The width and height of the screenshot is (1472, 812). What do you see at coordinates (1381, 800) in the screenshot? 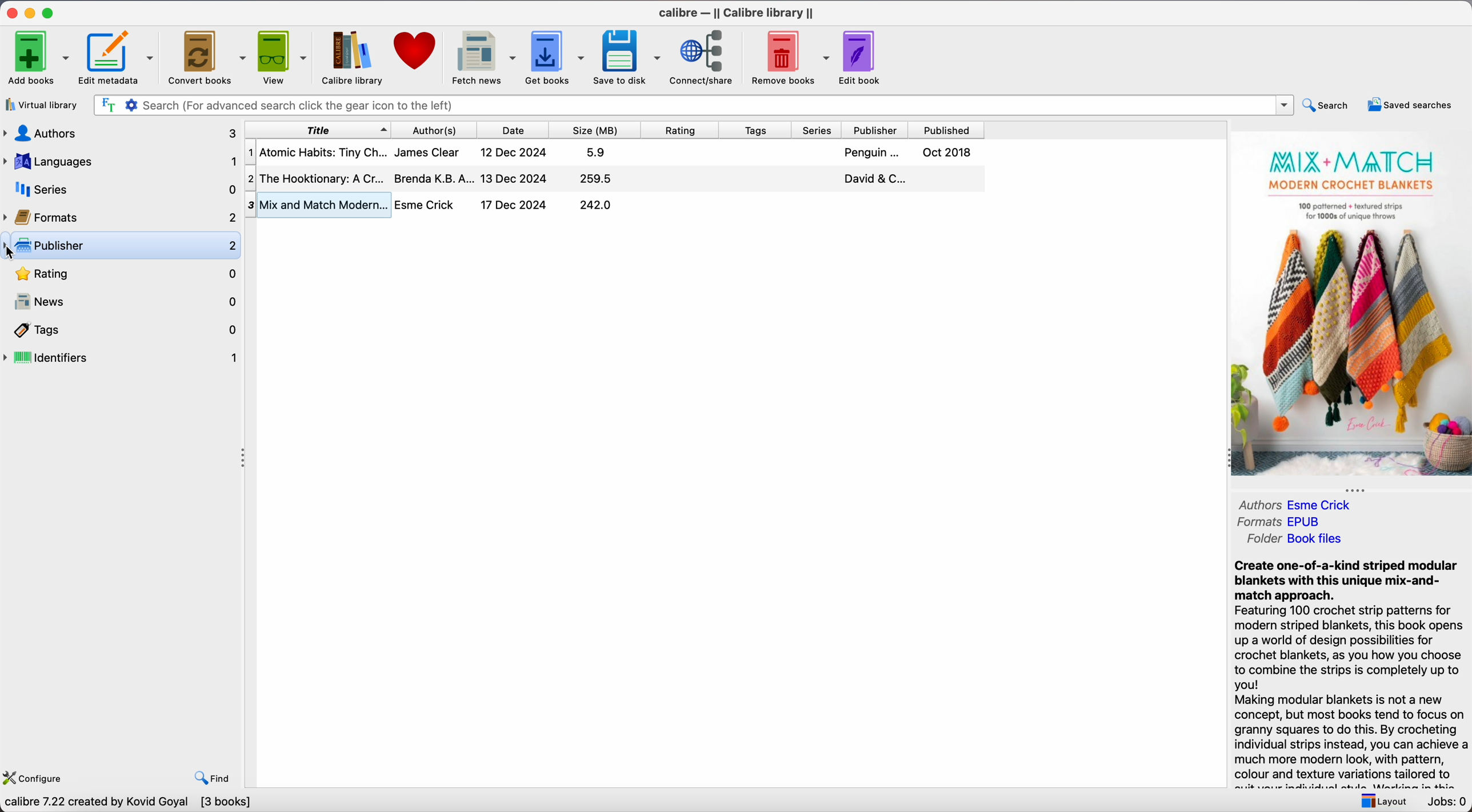
I see `layout` at bounding box center [1381, 800].